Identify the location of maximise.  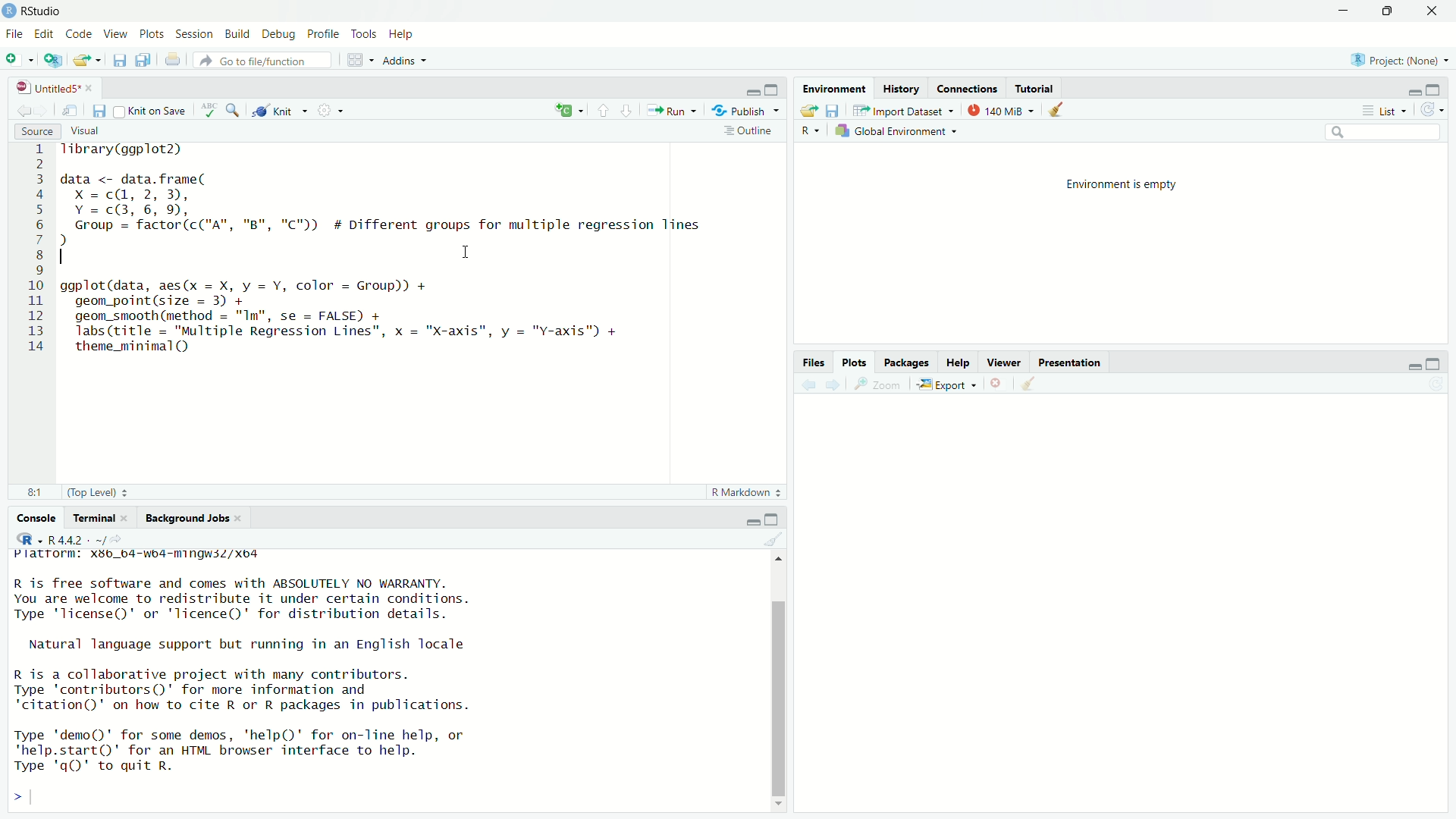
(1439, 362).